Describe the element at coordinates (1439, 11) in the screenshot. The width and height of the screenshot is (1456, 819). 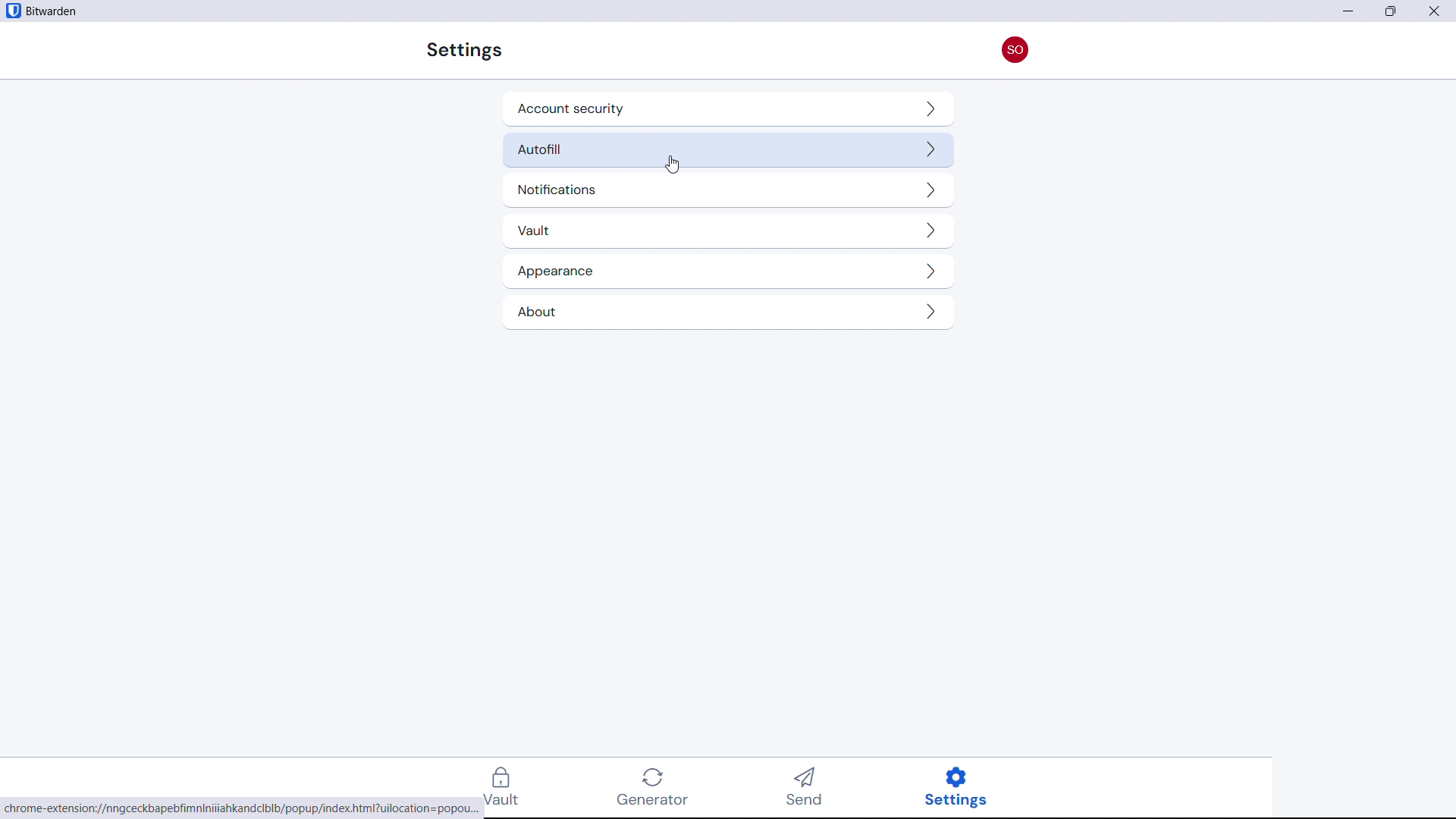
I see `close ` at that location.